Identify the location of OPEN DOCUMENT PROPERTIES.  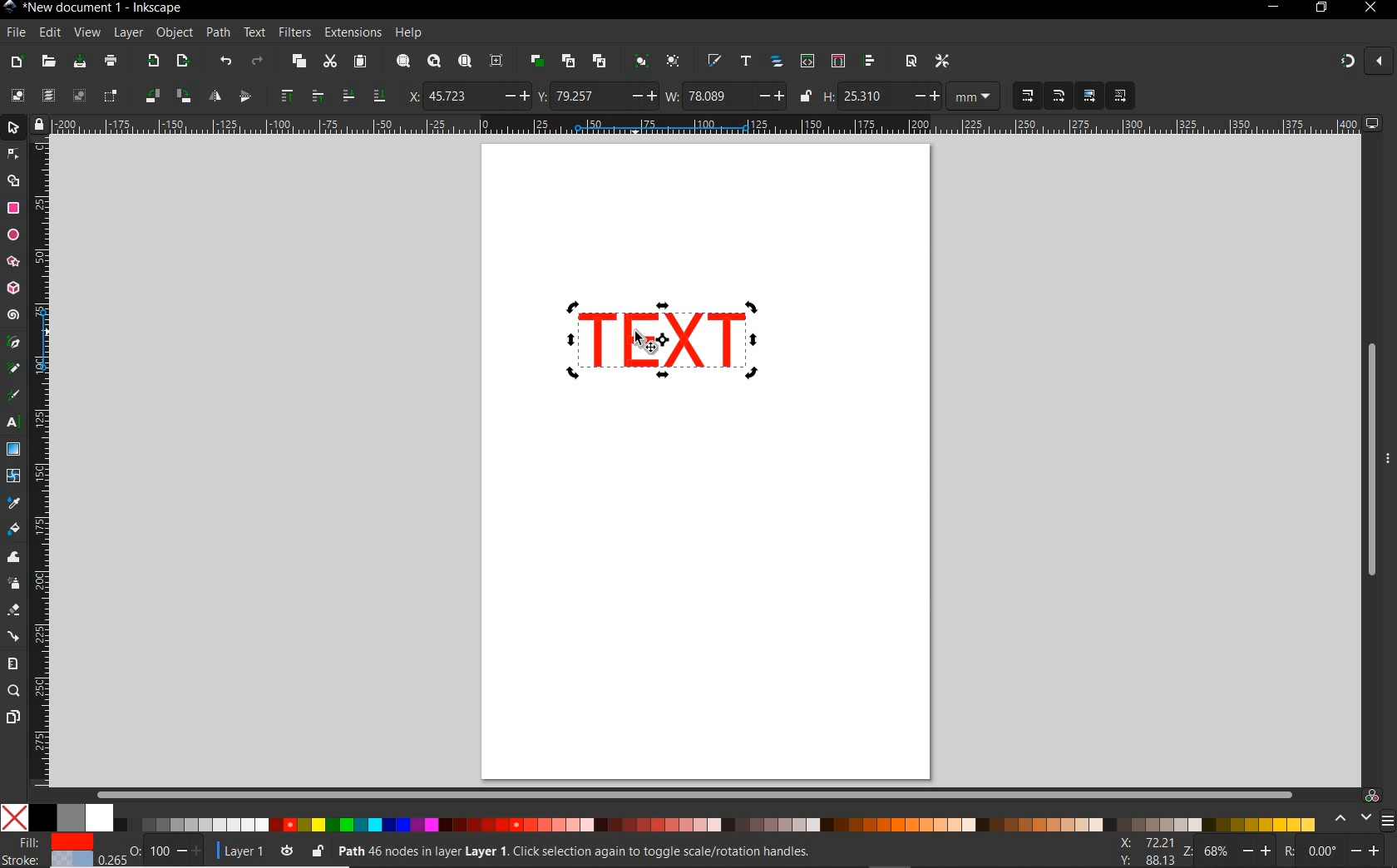
(911, 61).